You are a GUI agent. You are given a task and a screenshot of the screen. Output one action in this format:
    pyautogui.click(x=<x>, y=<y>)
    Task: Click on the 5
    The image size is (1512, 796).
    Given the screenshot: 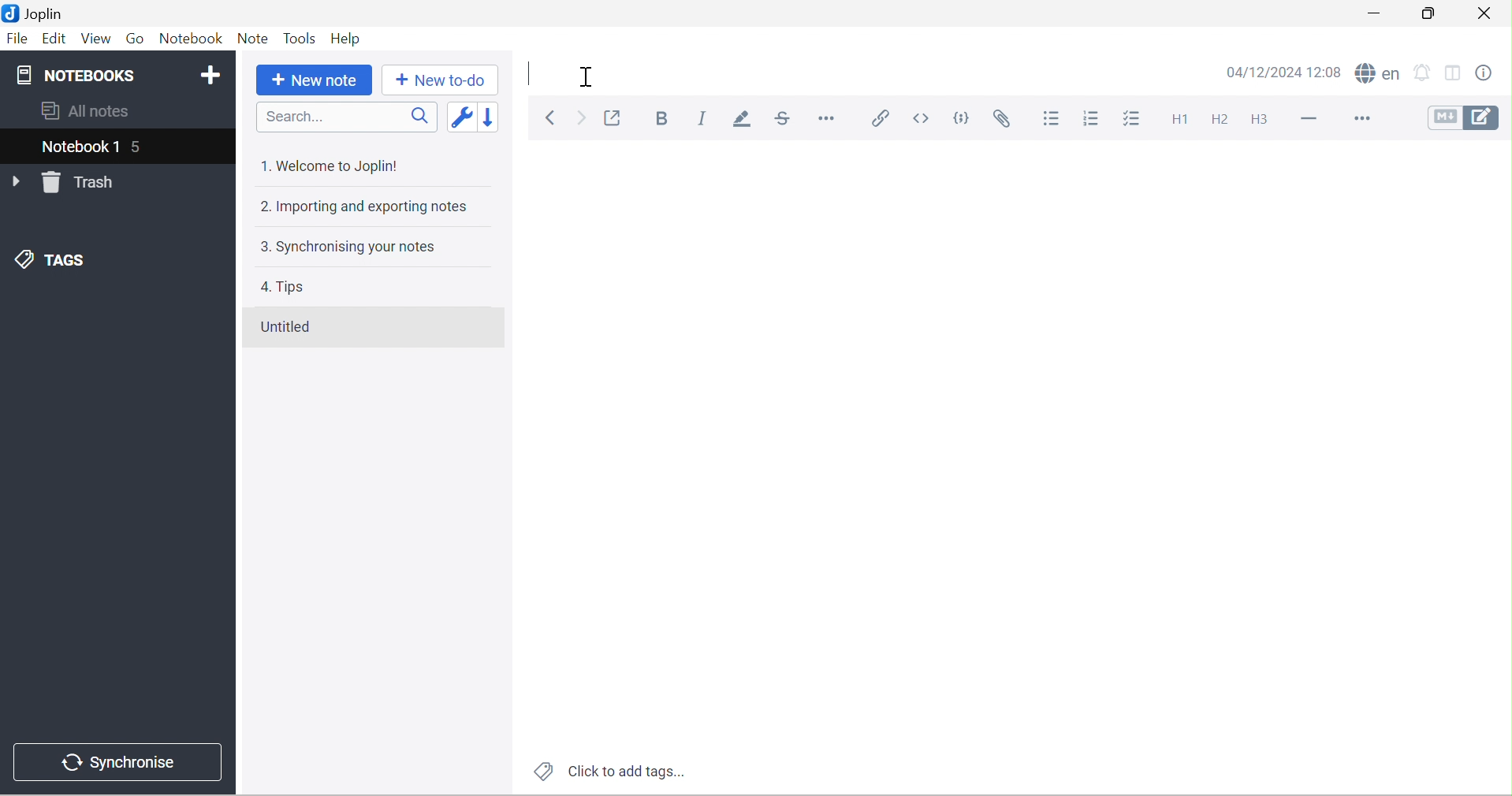 What is the action you would take?
    pyautogui.click(x=140, y=146)
    